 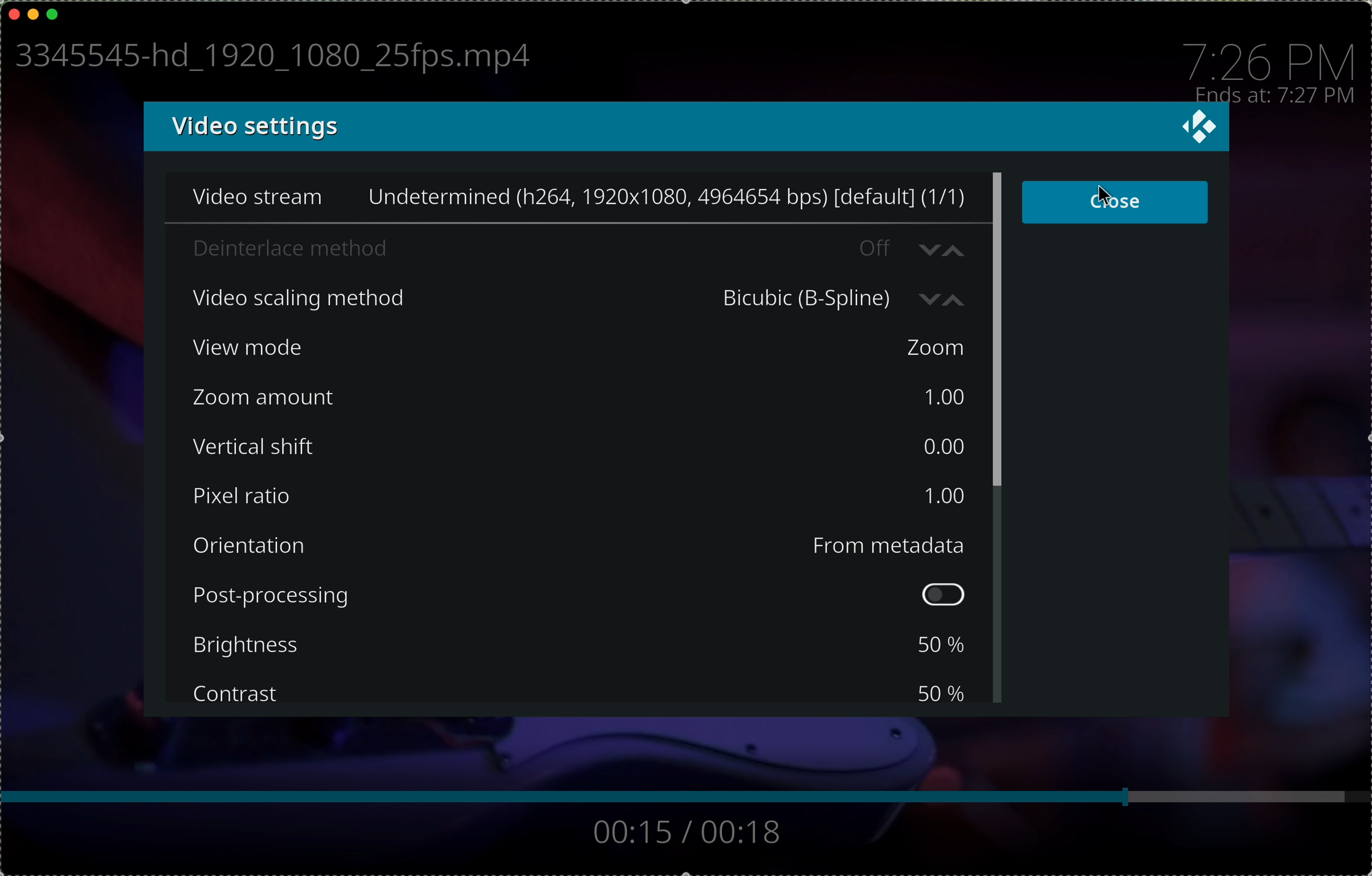 What do you see at coordinates (895, 548) in the screenshot?
I see `From metadata` at bounding box center [895, 548].